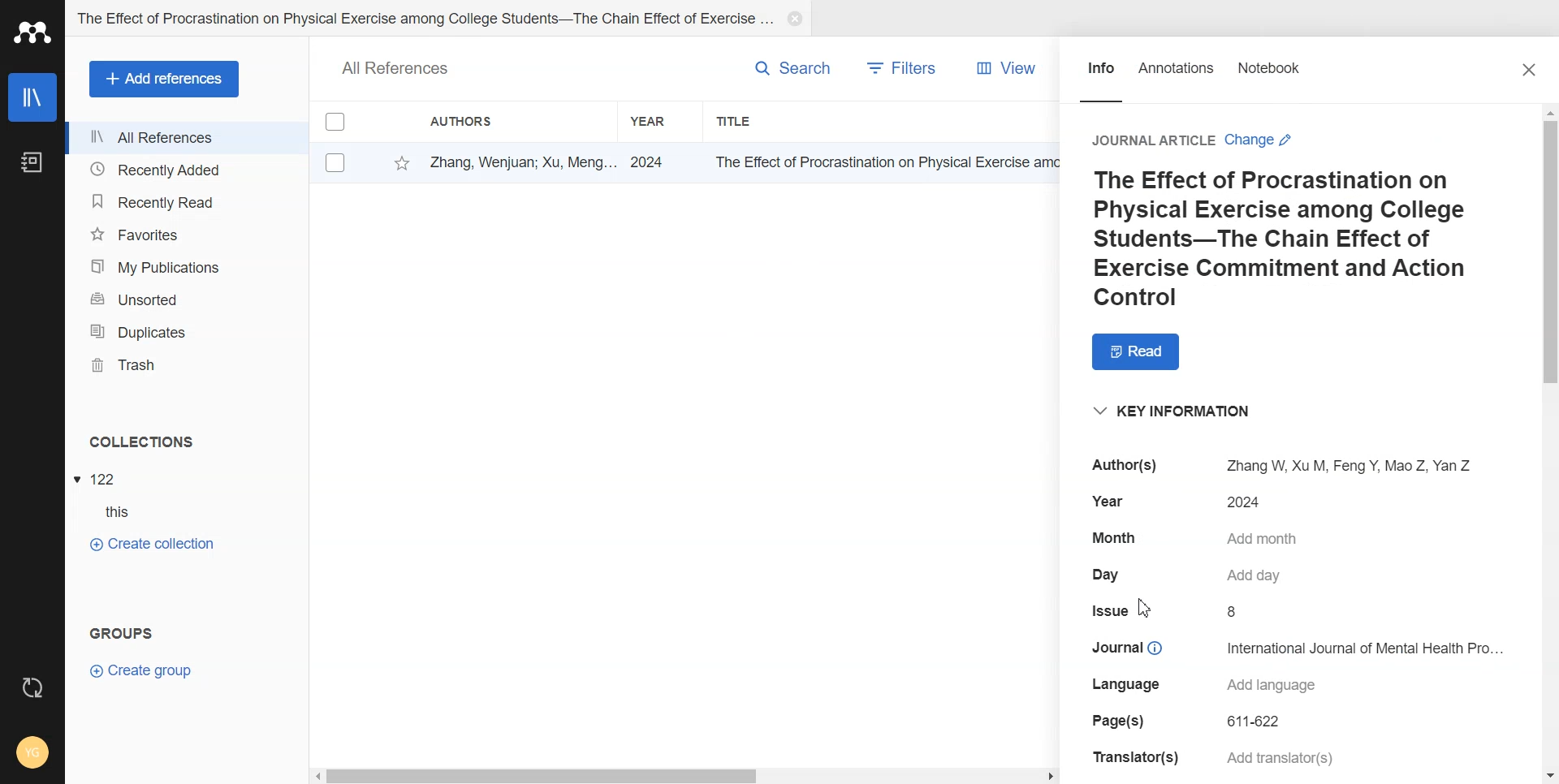  I want to click on Close, so click(1531, 70).